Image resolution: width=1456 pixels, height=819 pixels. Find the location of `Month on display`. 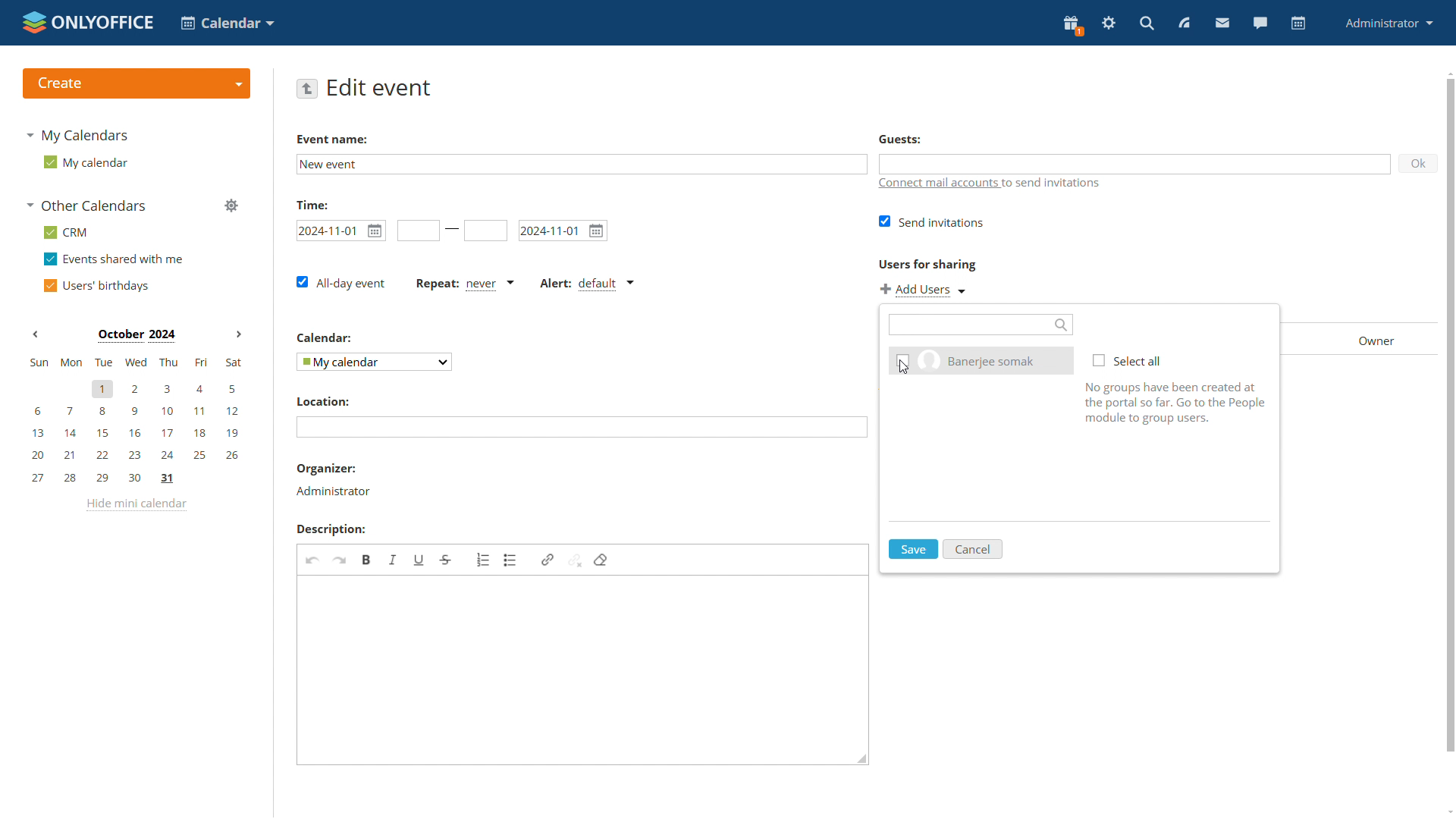

Month on display is located at coordinates (135, 335).